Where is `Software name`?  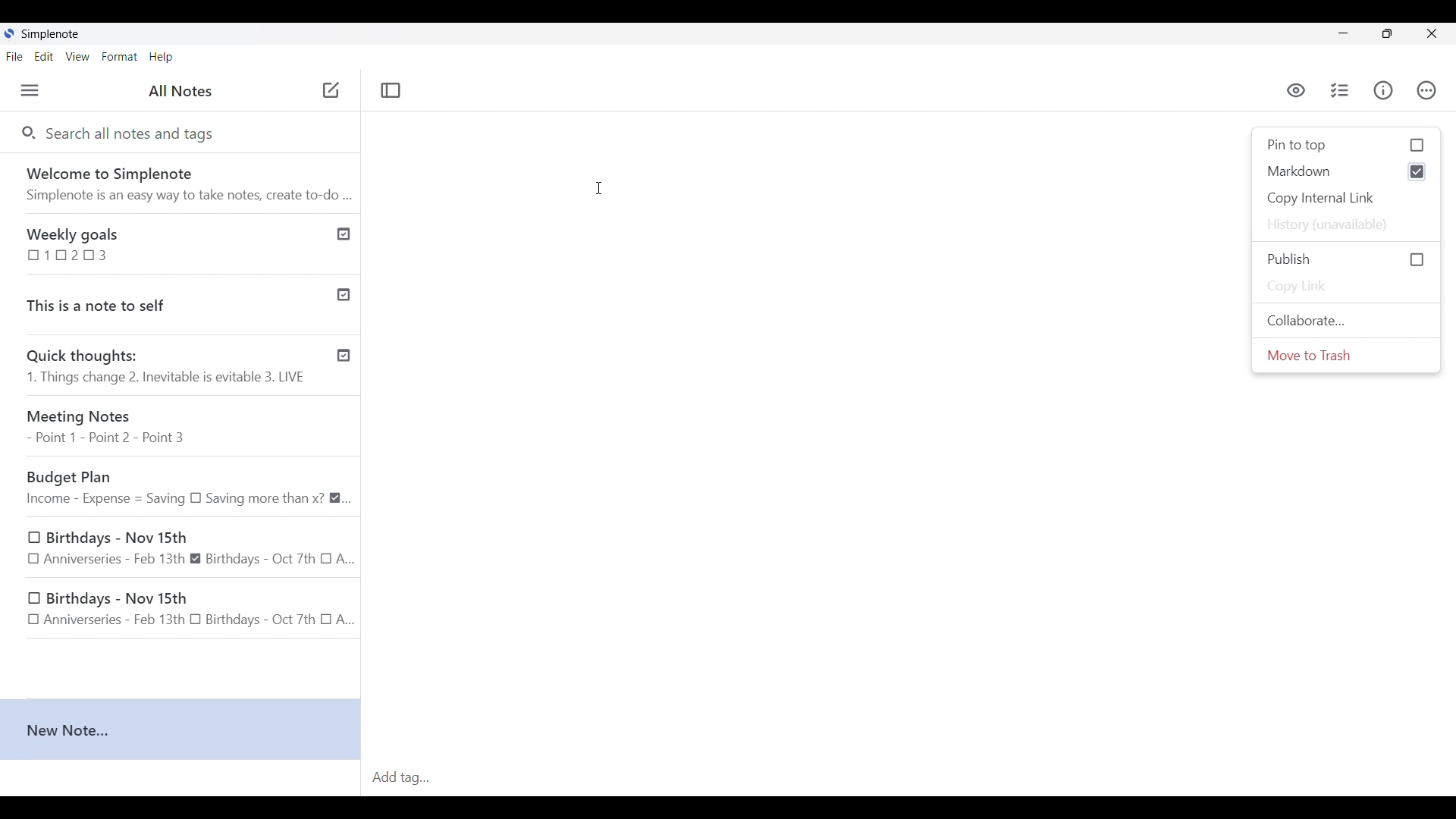
Software name is located at coordinates (50, 34).